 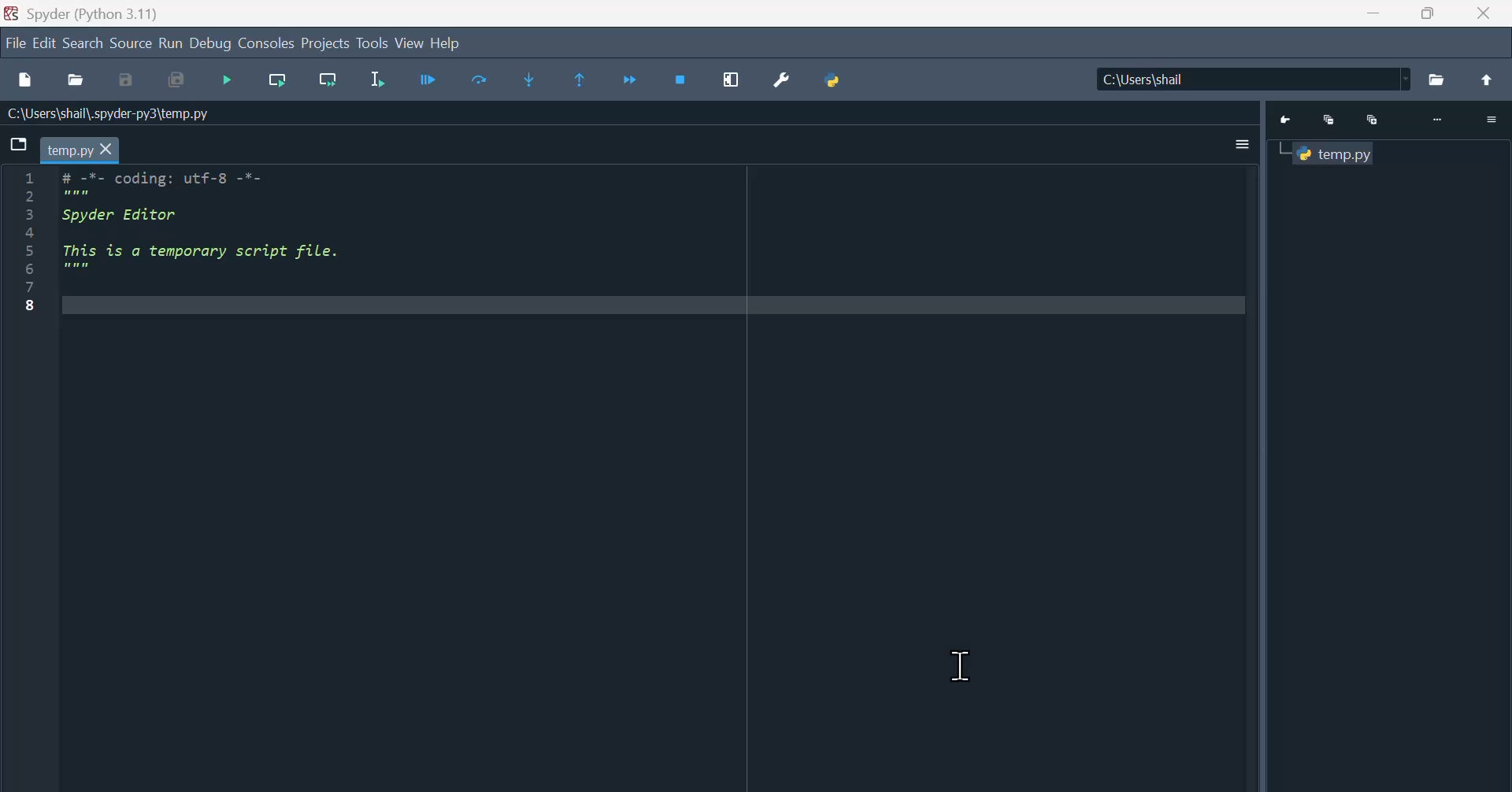 What do you see at coordinates (128, 80) in the screenshot?
I see `save` at bounding box center [128, 80].